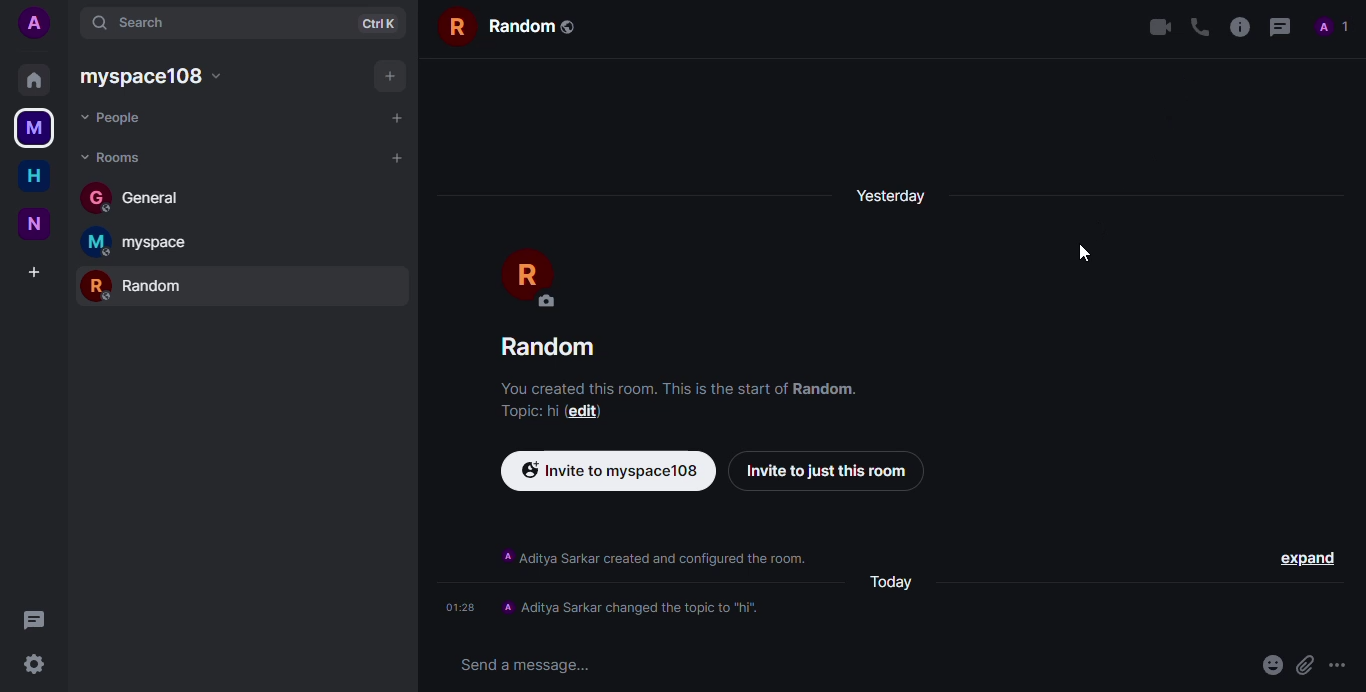 The width and height of the screenshot is (1366, 692). What do you see at coordinates (511, 26) in the screenshot?
I see `random` at bounding box center [511, 26].